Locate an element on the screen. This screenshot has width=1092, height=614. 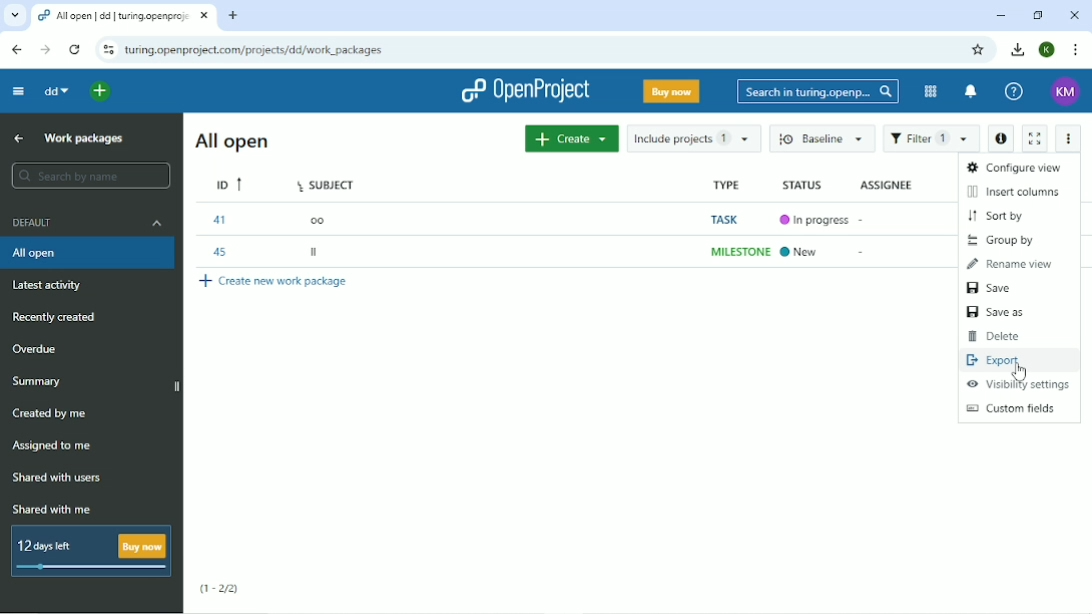
In progress is located at coordinates (812, 219).